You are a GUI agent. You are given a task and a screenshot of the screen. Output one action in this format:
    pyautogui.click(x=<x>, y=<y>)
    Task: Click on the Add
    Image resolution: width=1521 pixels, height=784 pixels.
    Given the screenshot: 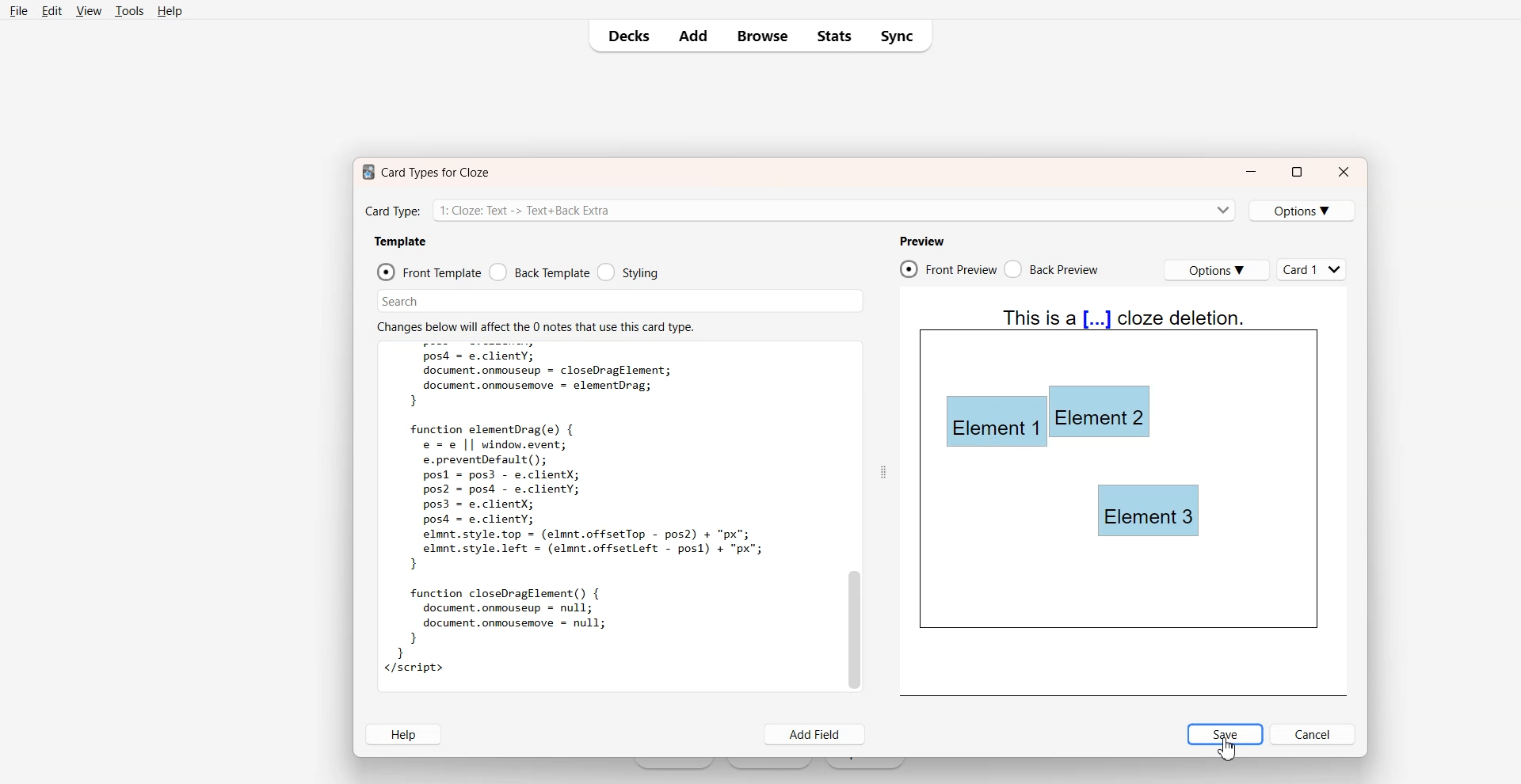 What is the action you would take?
    pyautogui.click(x=692, y=36)
    